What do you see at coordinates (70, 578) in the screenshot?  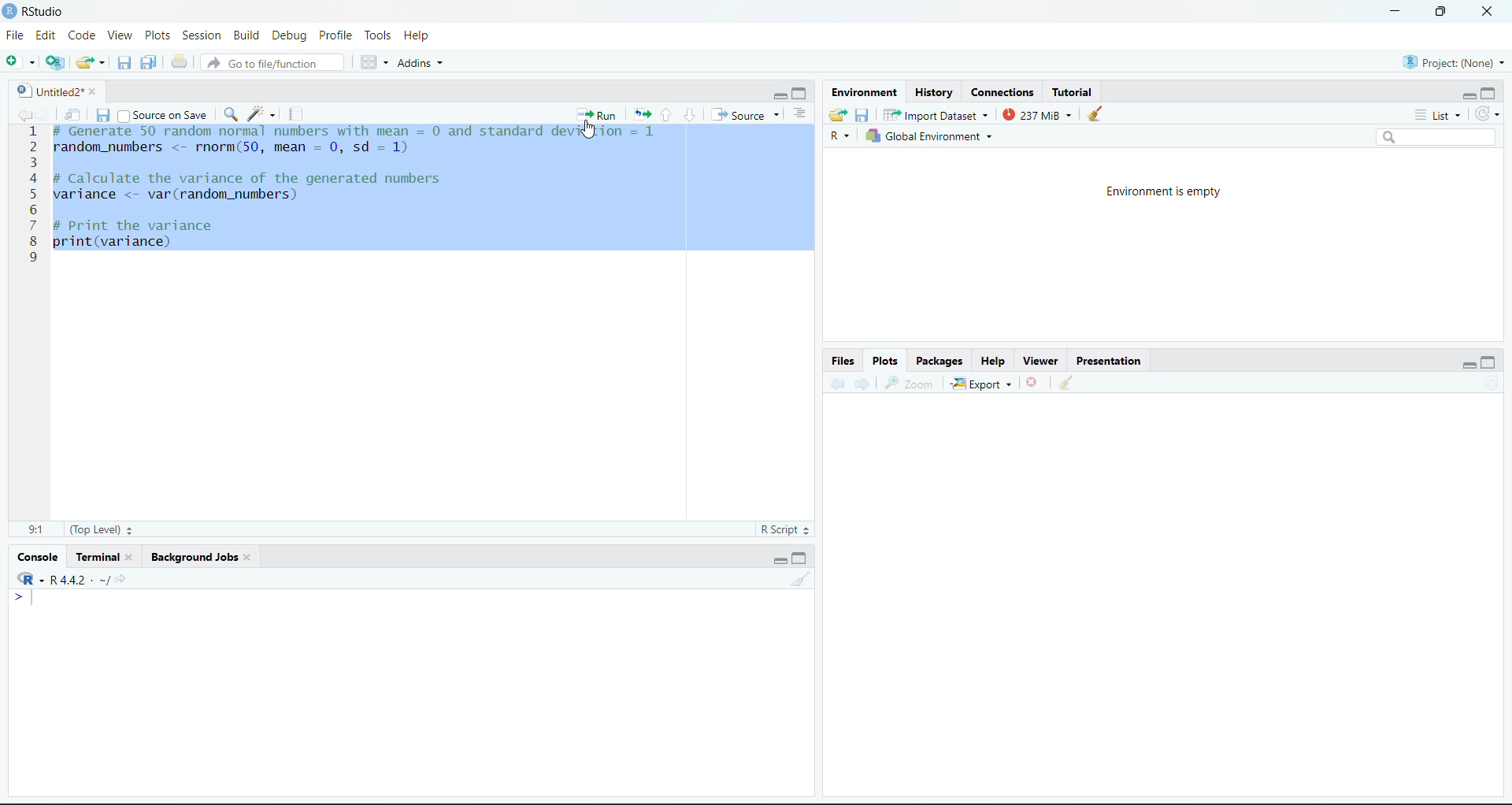 I see `R 4.4.2 ~/` at bounding box center [70, 578].